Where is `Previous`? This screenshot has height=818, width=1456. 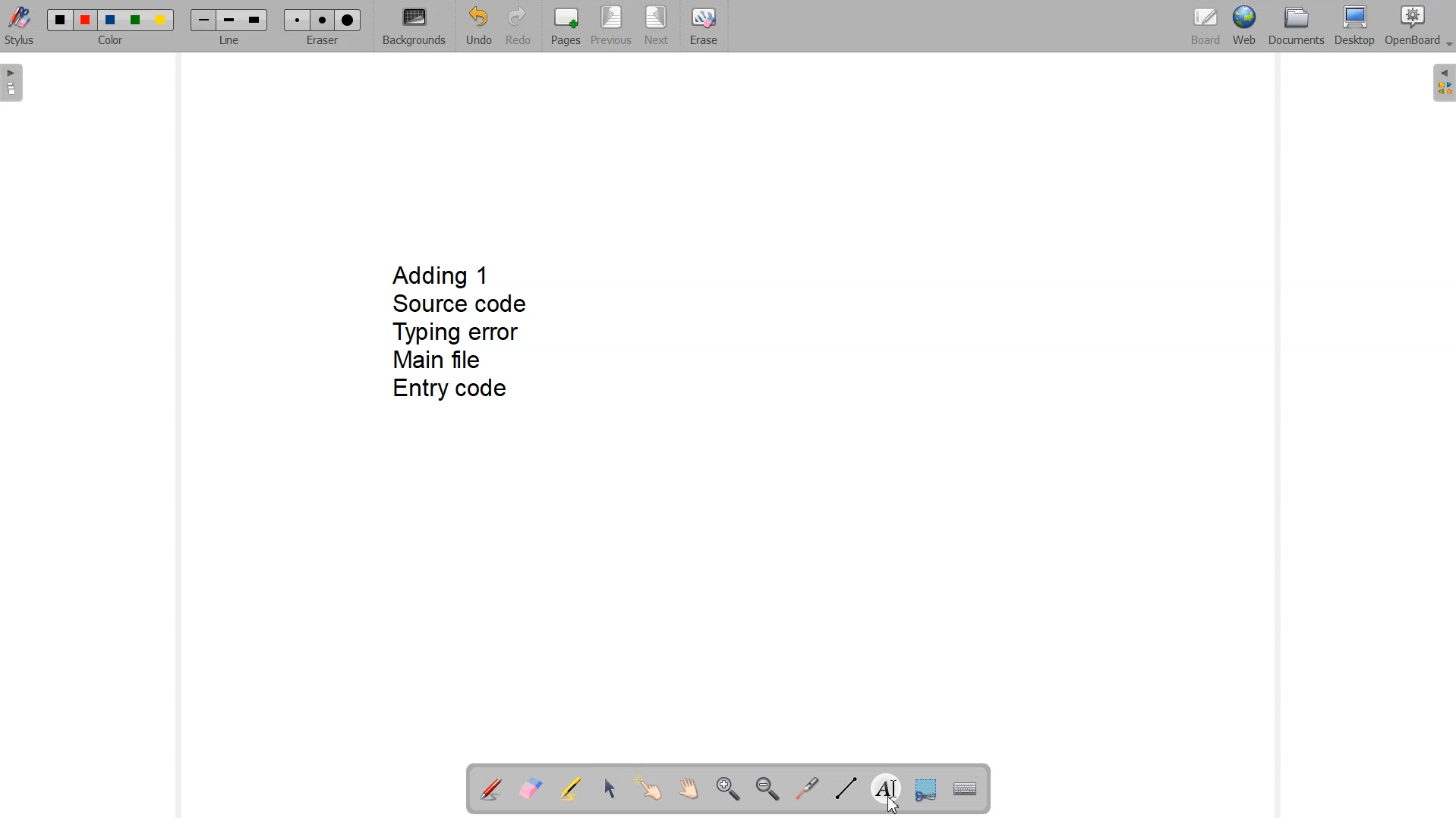 Previous is located at coordinates (611, 27).